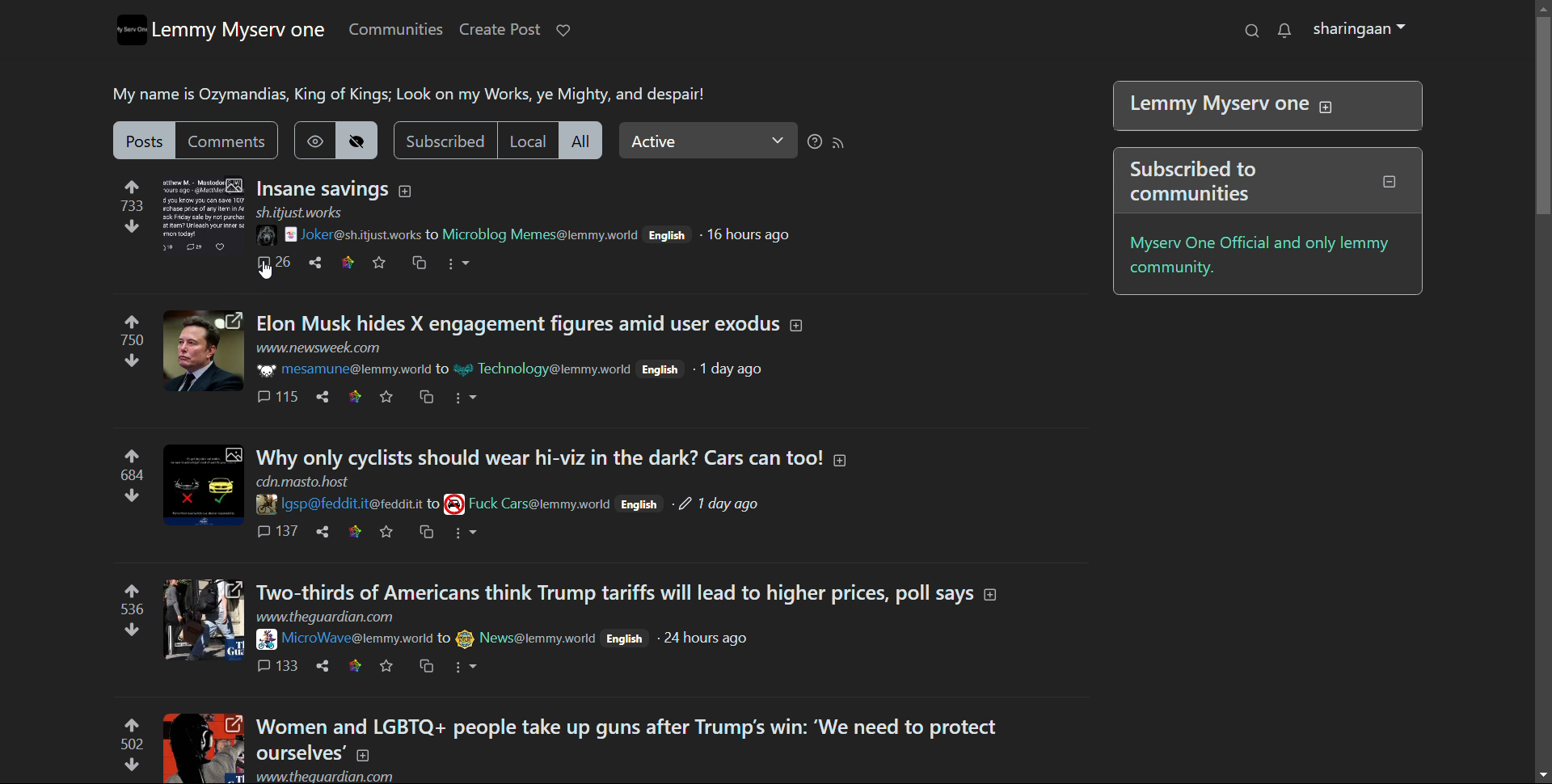 The width and height of the screenshot is (1552, 784). Describe the element at coordinates (1326, 107) in the screenshot. I see `expand` at that location.